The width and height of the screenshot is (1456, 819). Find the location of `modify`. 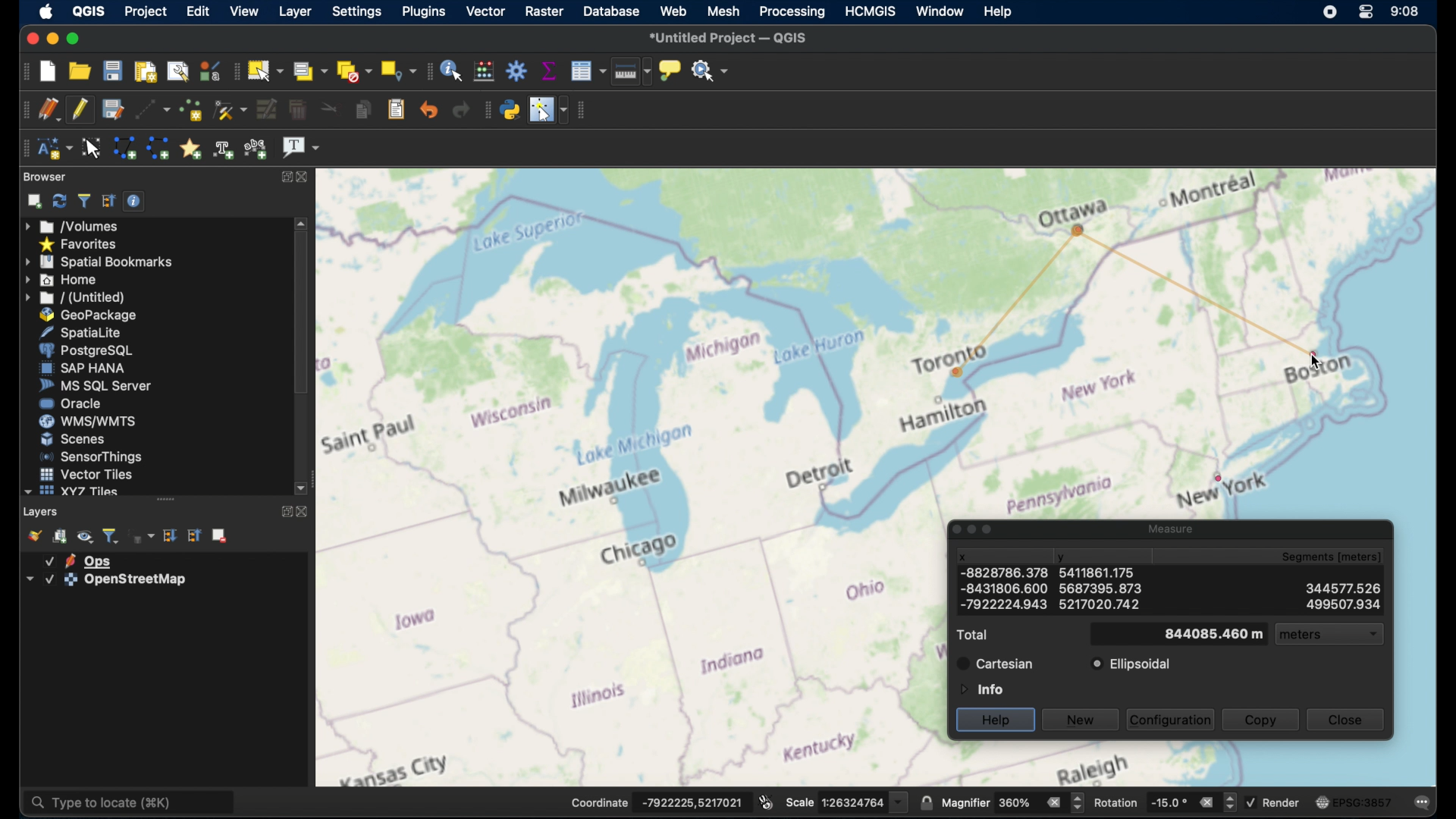

modify is located at coordinates (265, 108).